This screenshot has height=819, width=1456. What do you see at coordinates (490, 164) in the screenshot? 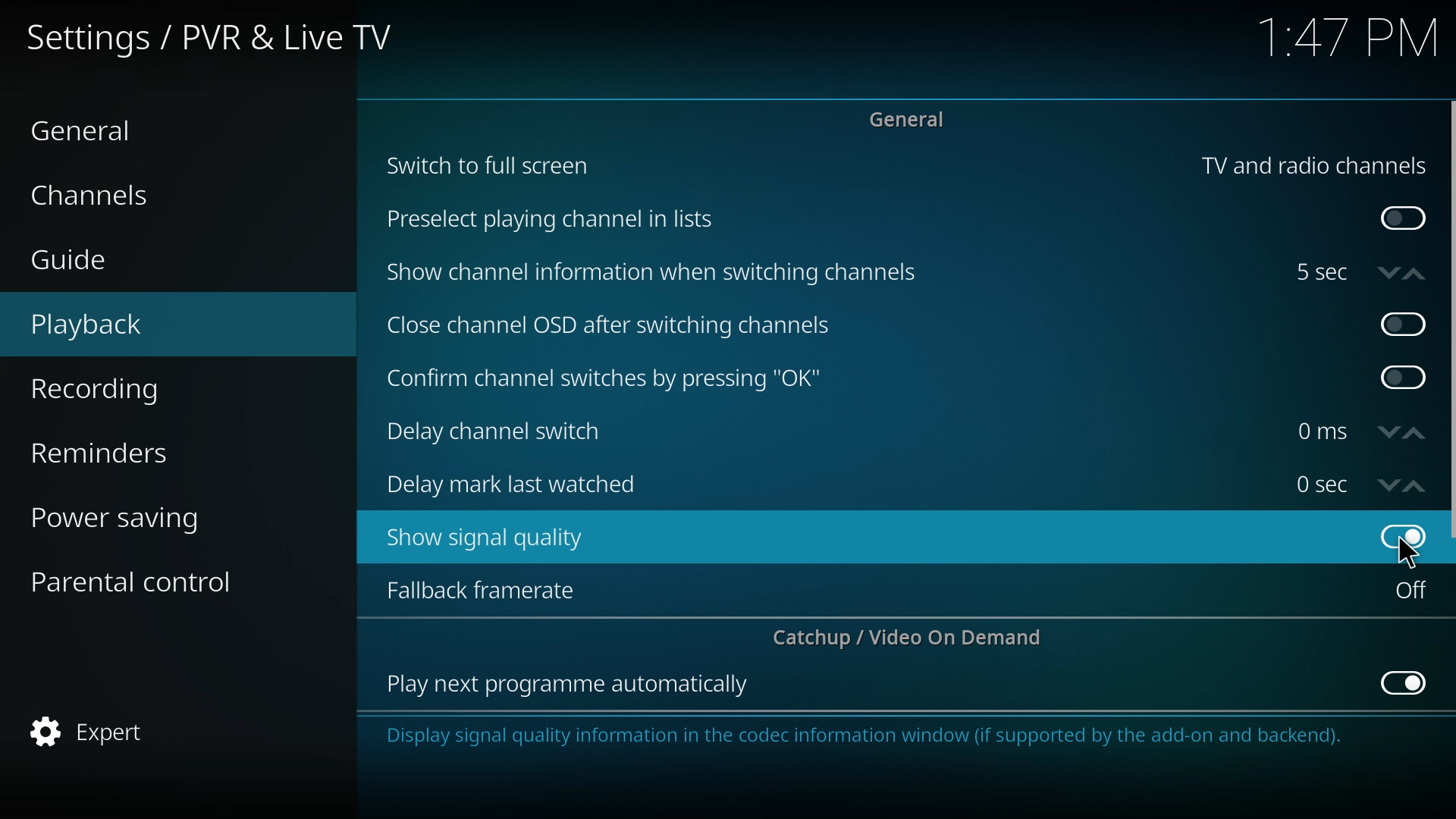
I see `switch to full screen` at bounding box center [490, 164].